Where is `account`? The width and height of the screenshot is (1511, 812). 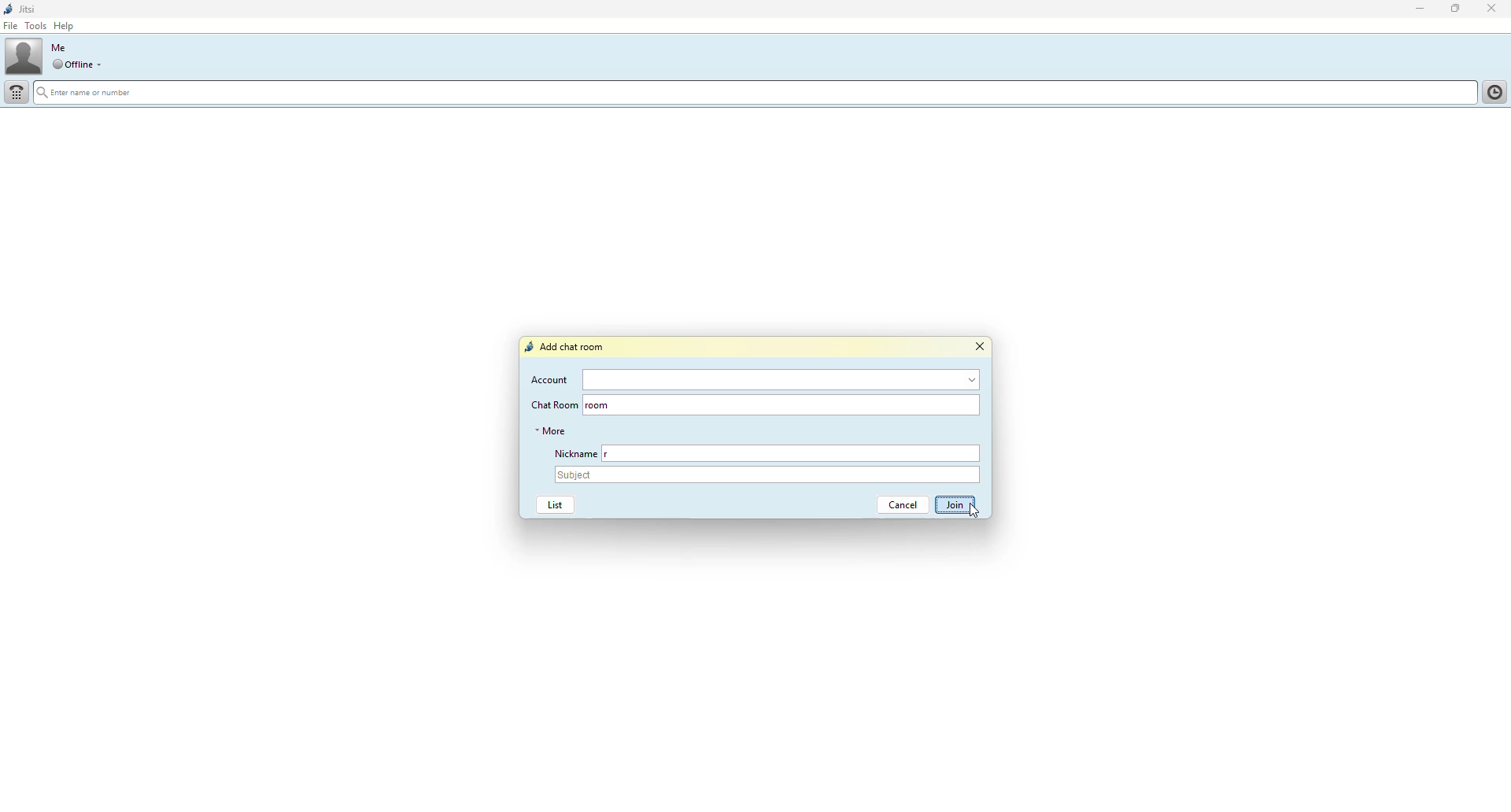
account is located at coordinates (551, 379).